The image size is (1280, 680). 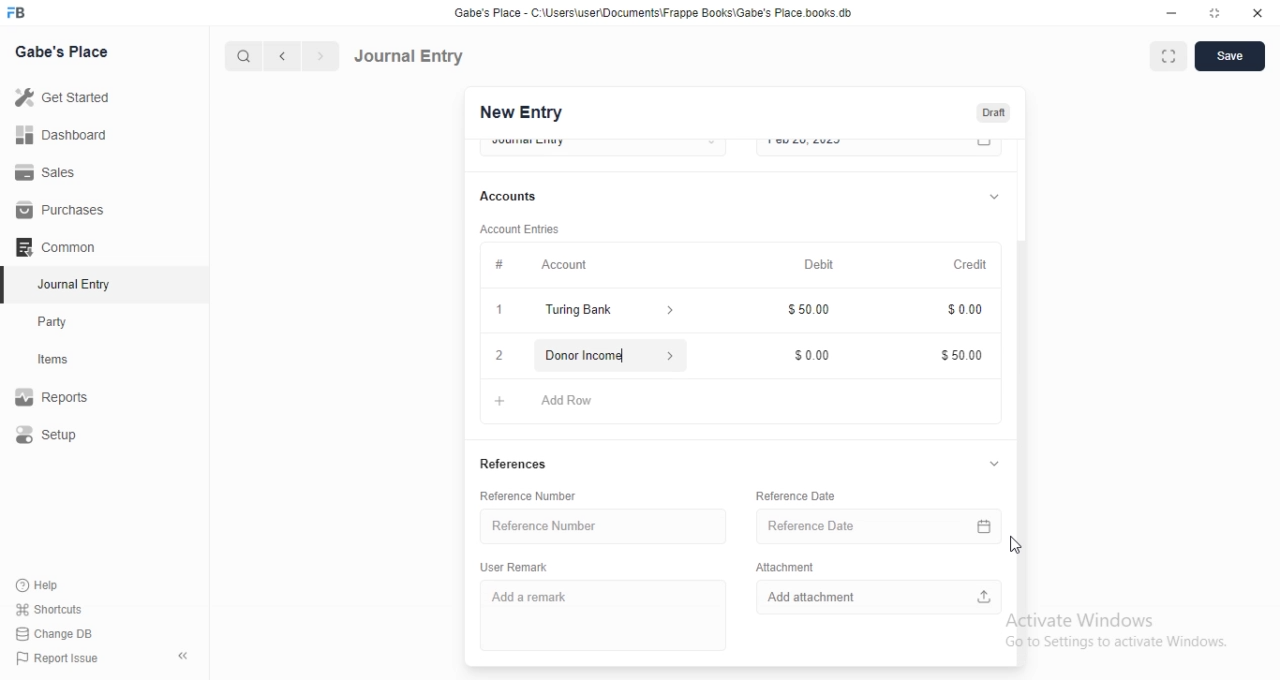 What do you see at coordinates (880, 595) in the screenshot?
I see `Add attachment` at bounding box center [880, 595].